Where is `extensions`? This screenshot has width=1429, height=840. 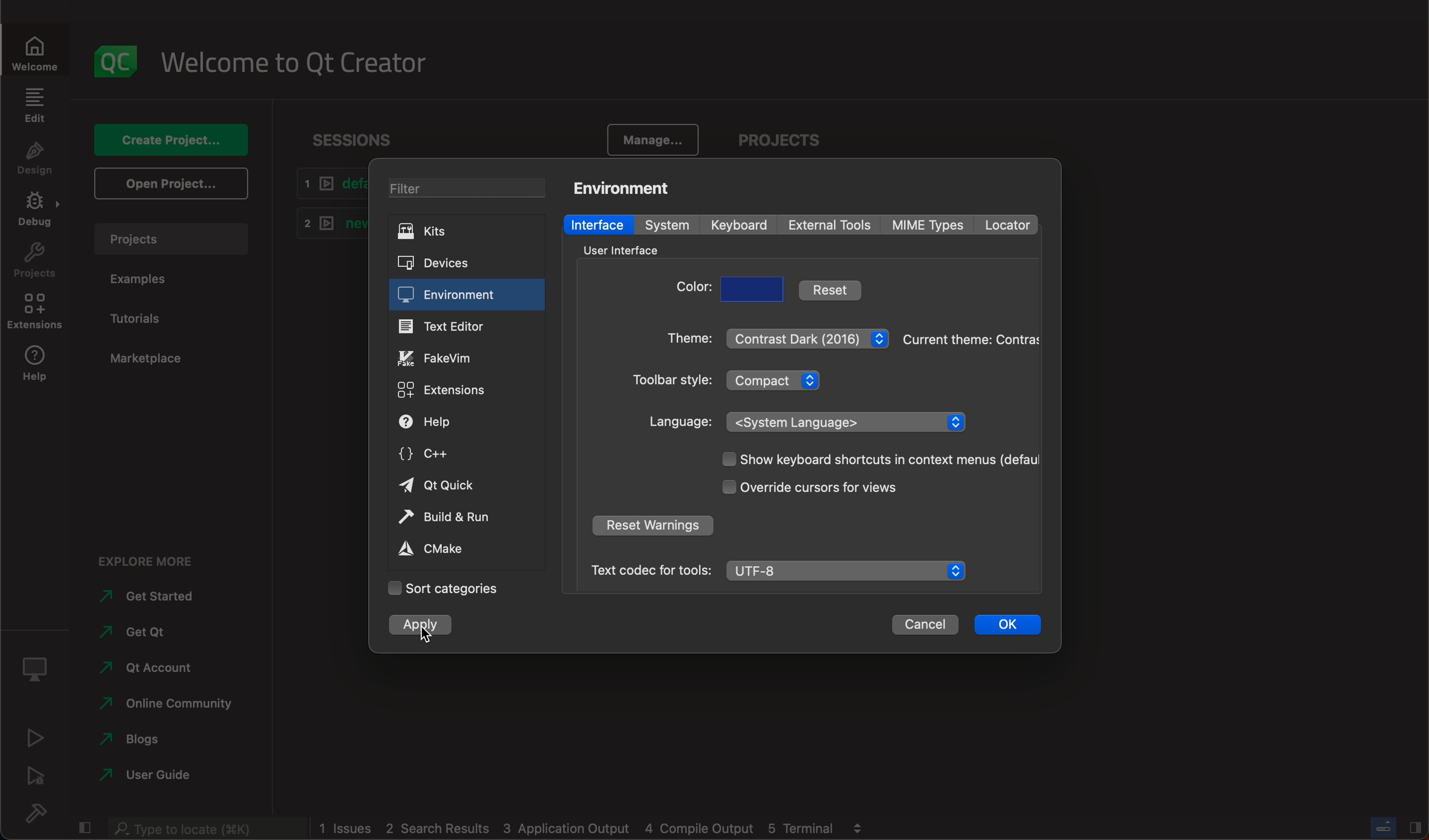 extensions is located at coordinates (457, 391).